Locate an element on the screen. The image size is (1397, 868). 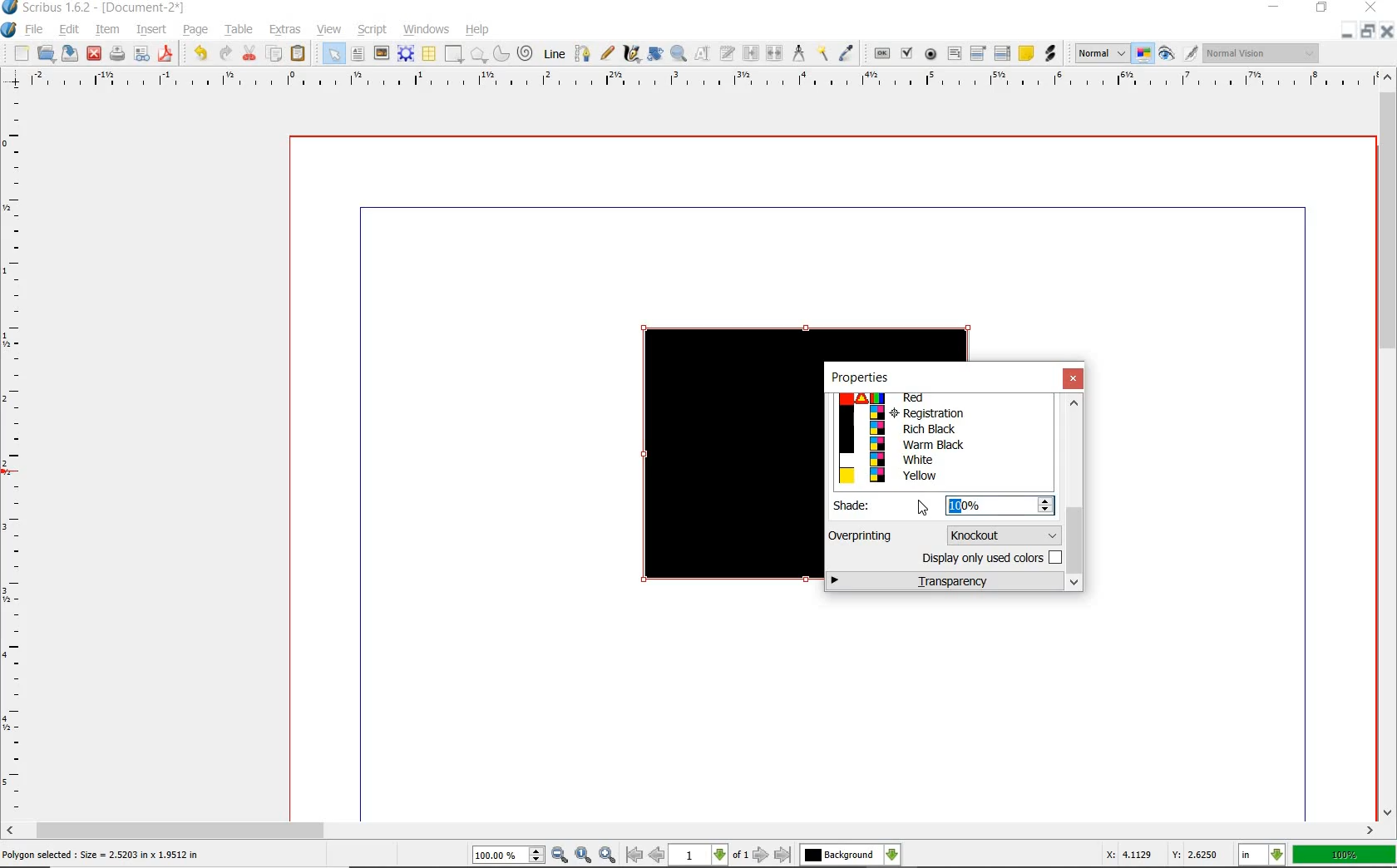
shape is located at coordinates (454, 53).